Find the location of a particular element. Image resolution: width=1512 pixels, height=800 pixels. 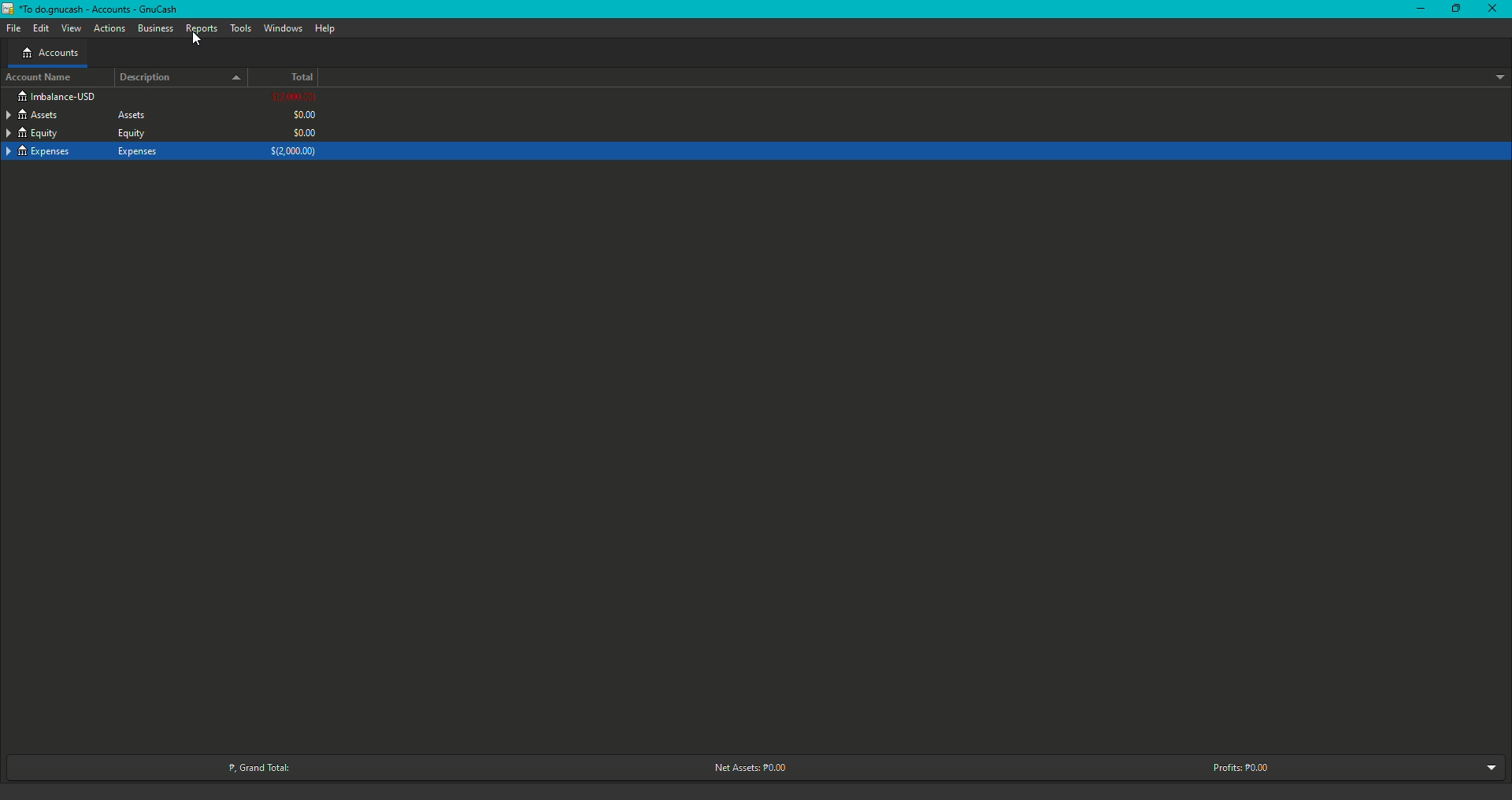

Expenses is located at coordinates (89, 150).